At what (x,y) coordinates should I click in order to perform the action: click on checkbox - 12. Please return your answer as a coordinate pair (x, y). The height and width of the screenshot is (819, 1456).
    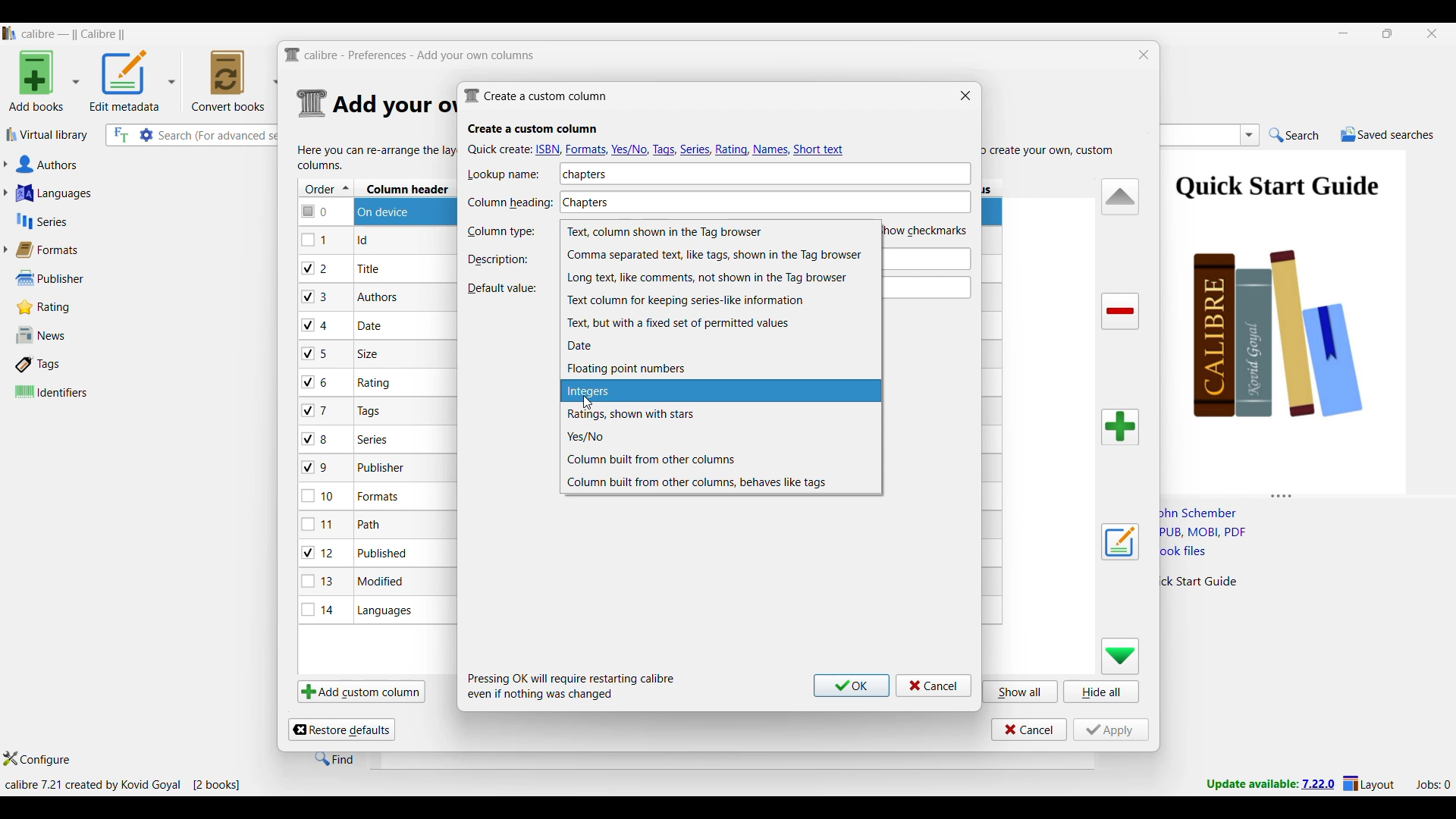
    Looking at the image, I should click on (320, 552).